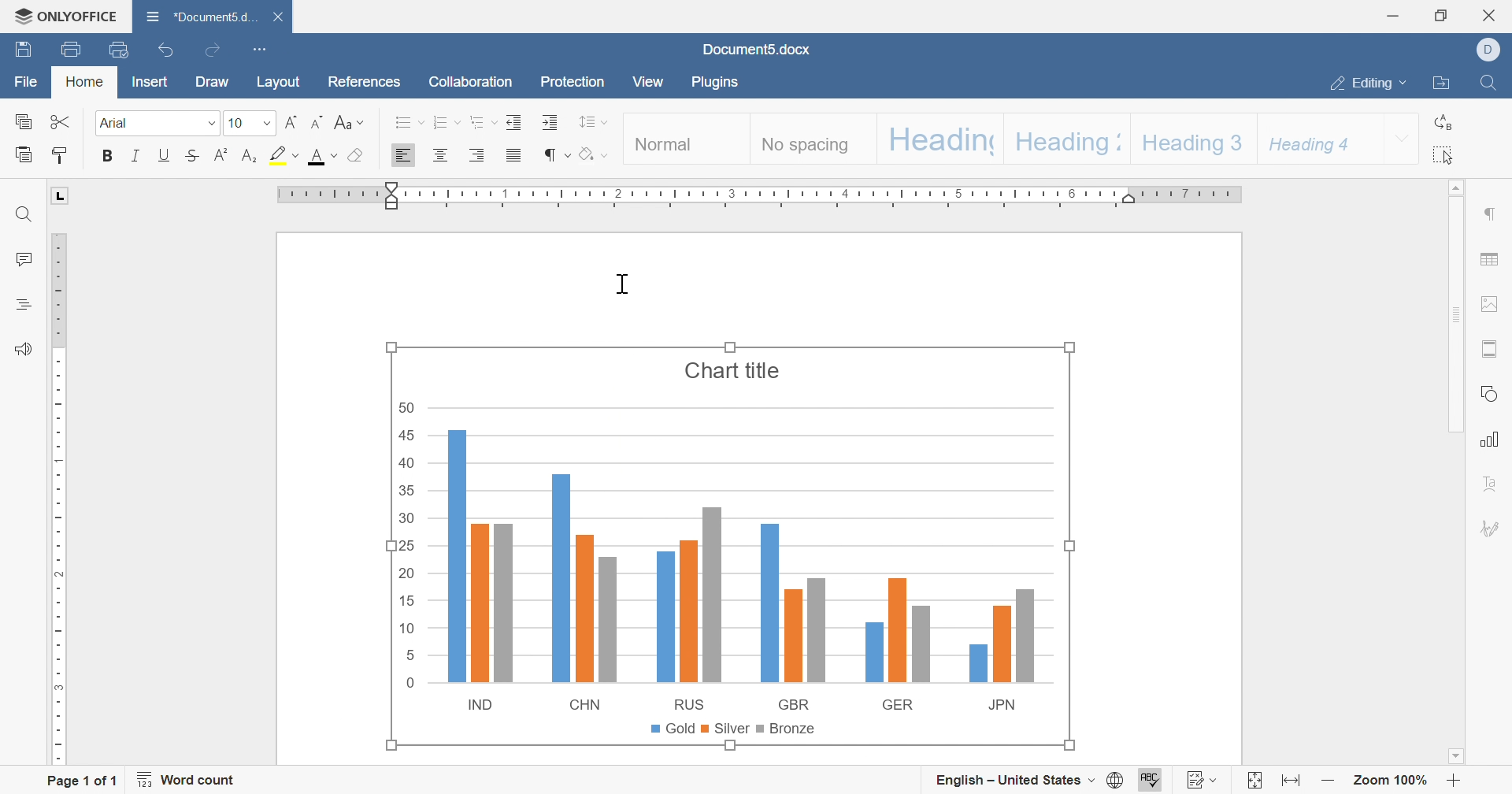 The width and height of the screenshot is (1512, 794). What do you see at coordinates (269, 124) in the screenshot?
I see `drop down` at bounding box center [269, 124].